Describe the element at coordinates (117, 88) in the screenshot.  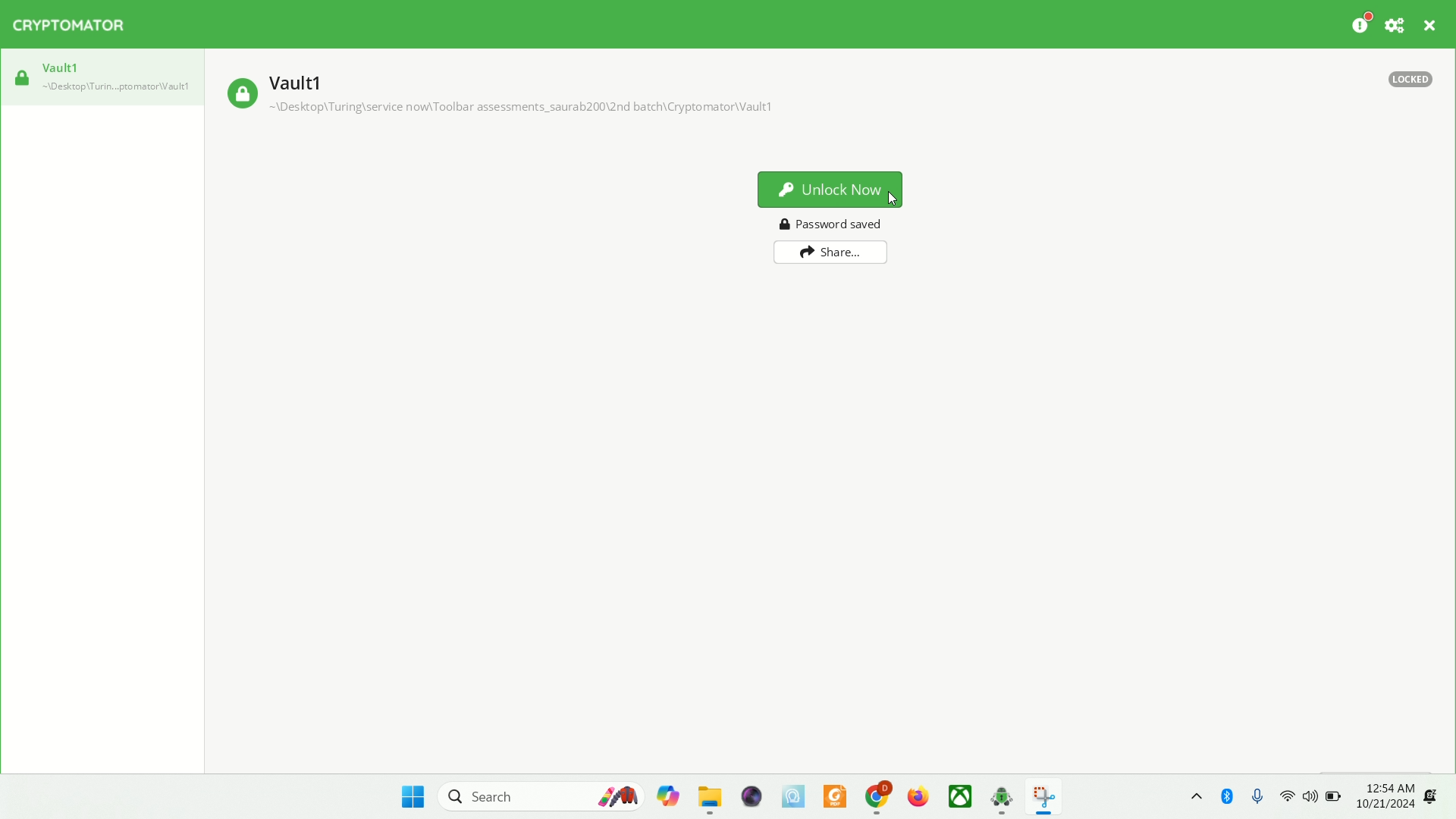
I see `vault1 location` at that location.